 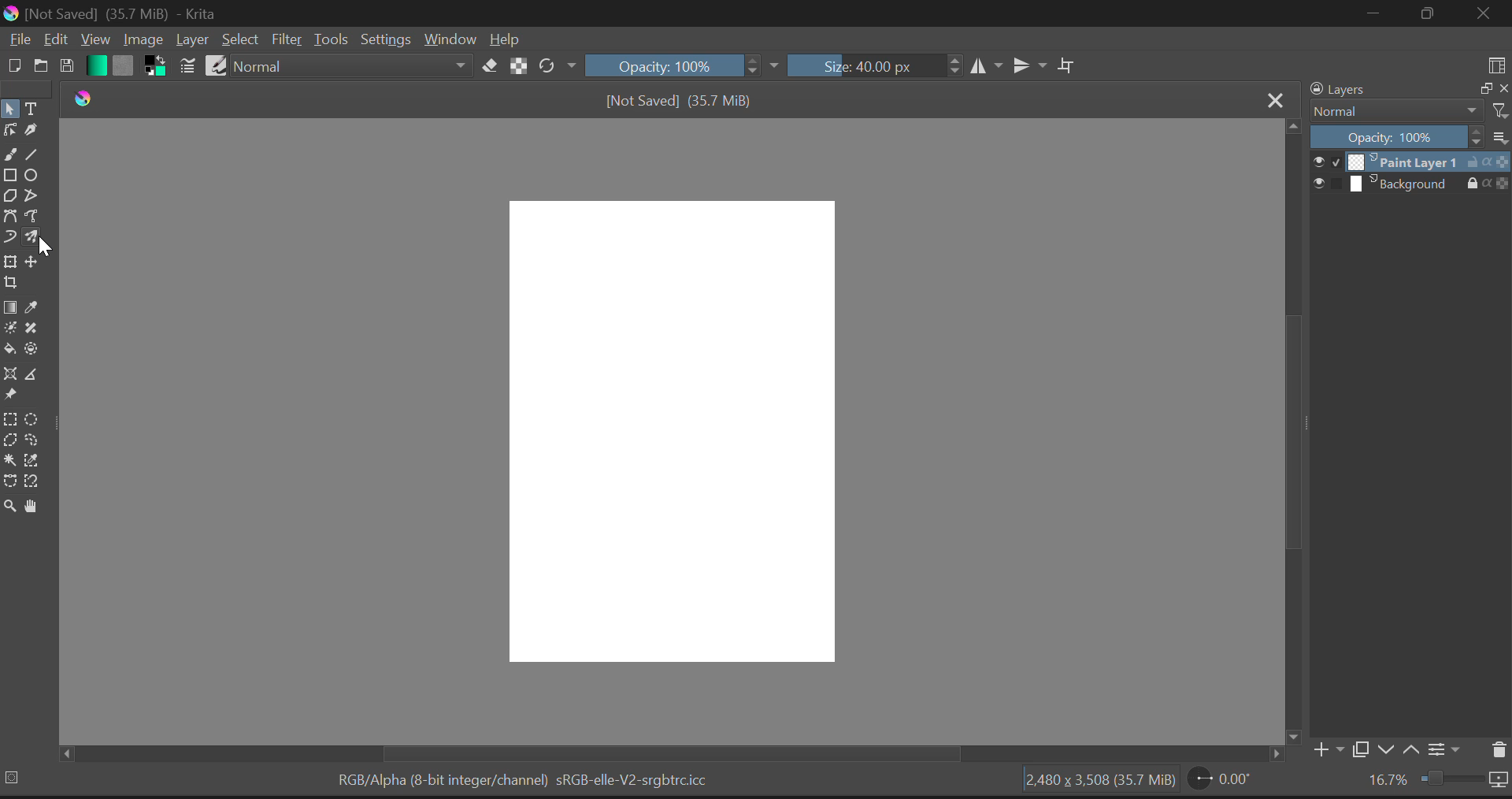 I want to click on RGB/Alpha (8-bit integer/channel) sRGB-elle-V2-srgbtrc.icc, so click(x=521, y=780).